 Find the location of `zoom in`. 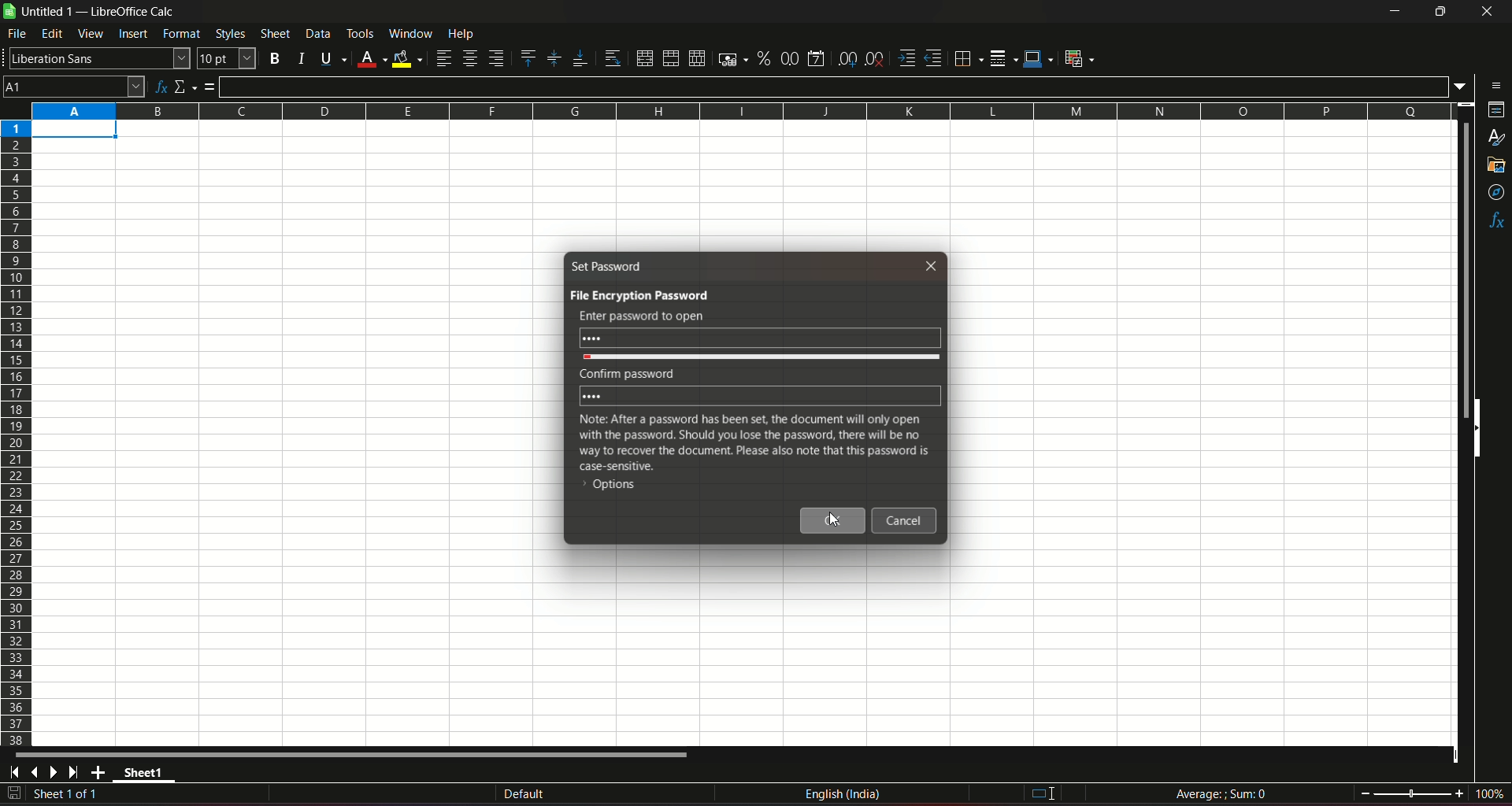

zoom in is located at coordinates (1458, 793).